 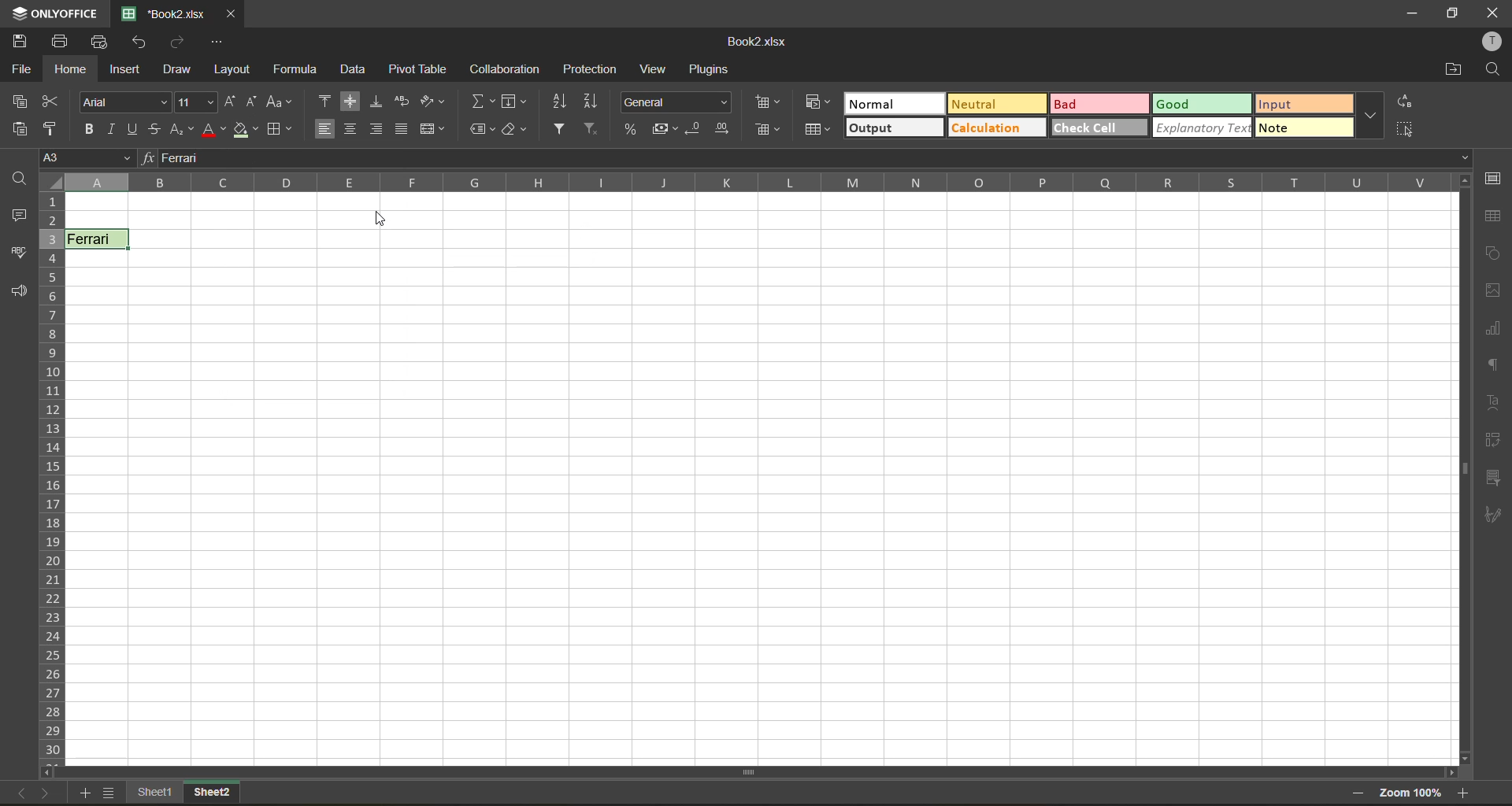 I want to click on cell address, so click(x=84, y=158).